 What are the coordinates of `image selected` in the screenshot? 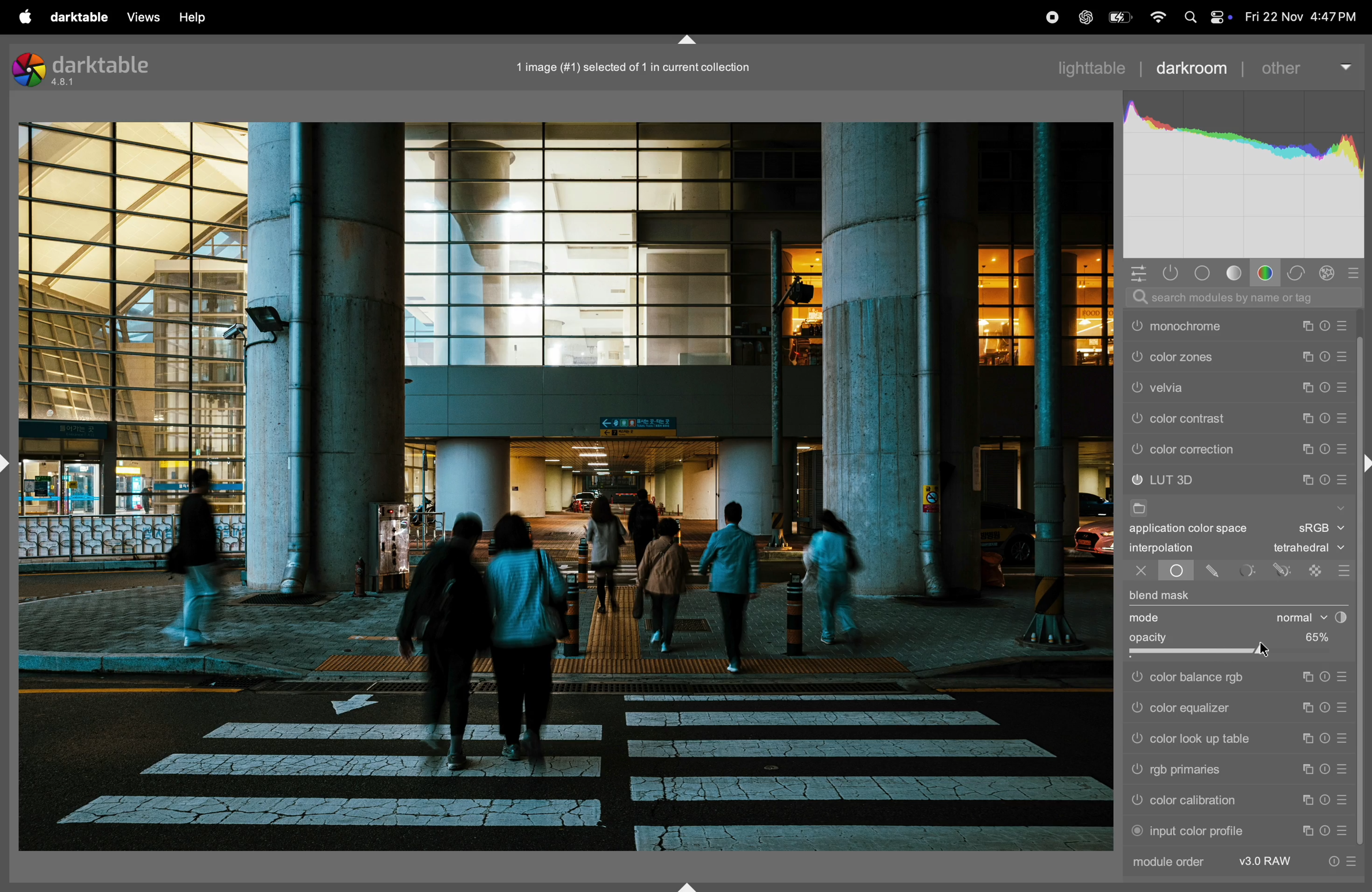 It's located at (648, 65).